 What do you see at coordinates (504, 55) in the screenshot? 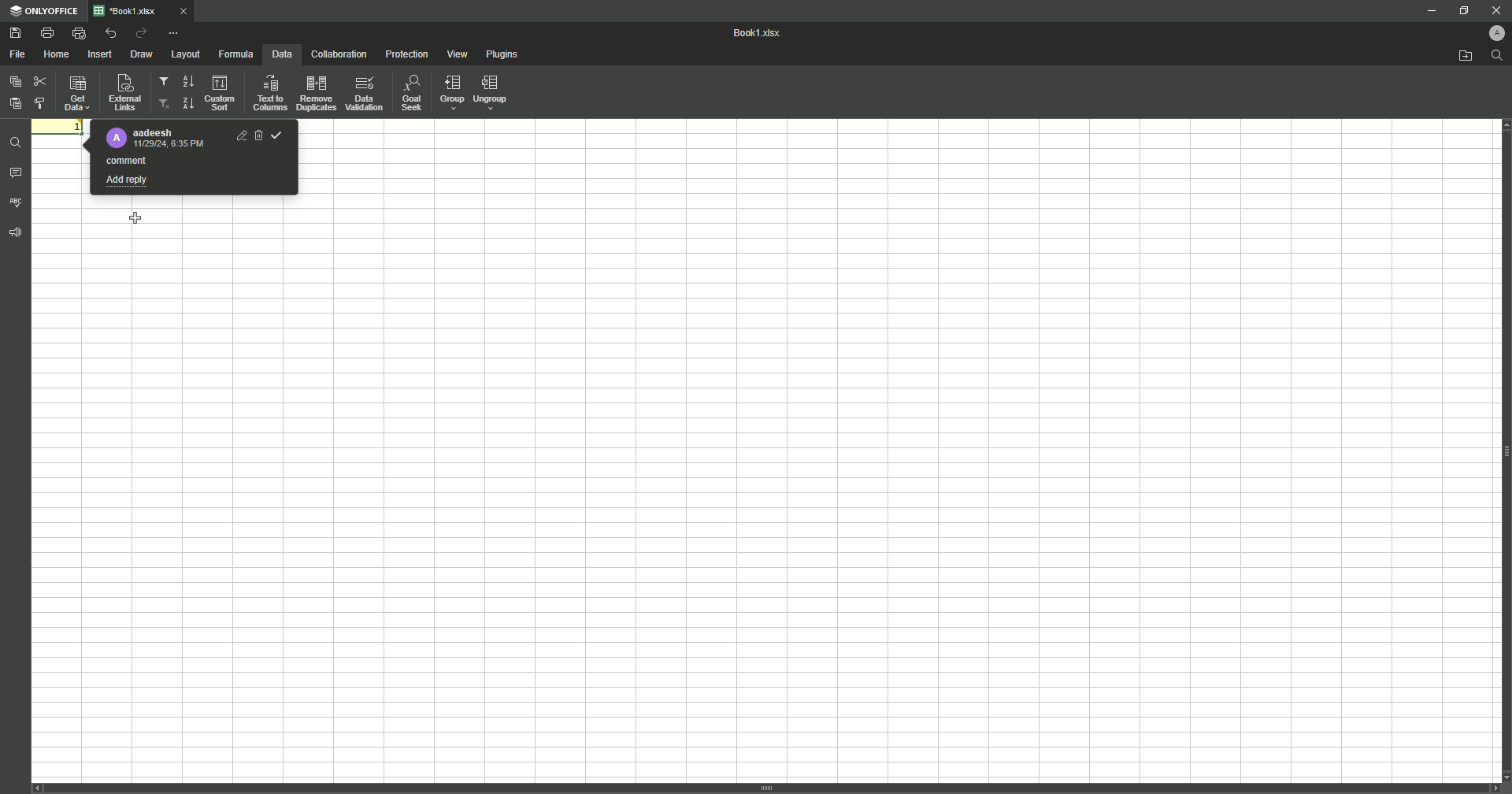
I see `Plugins` at bounding box center [504, 55].